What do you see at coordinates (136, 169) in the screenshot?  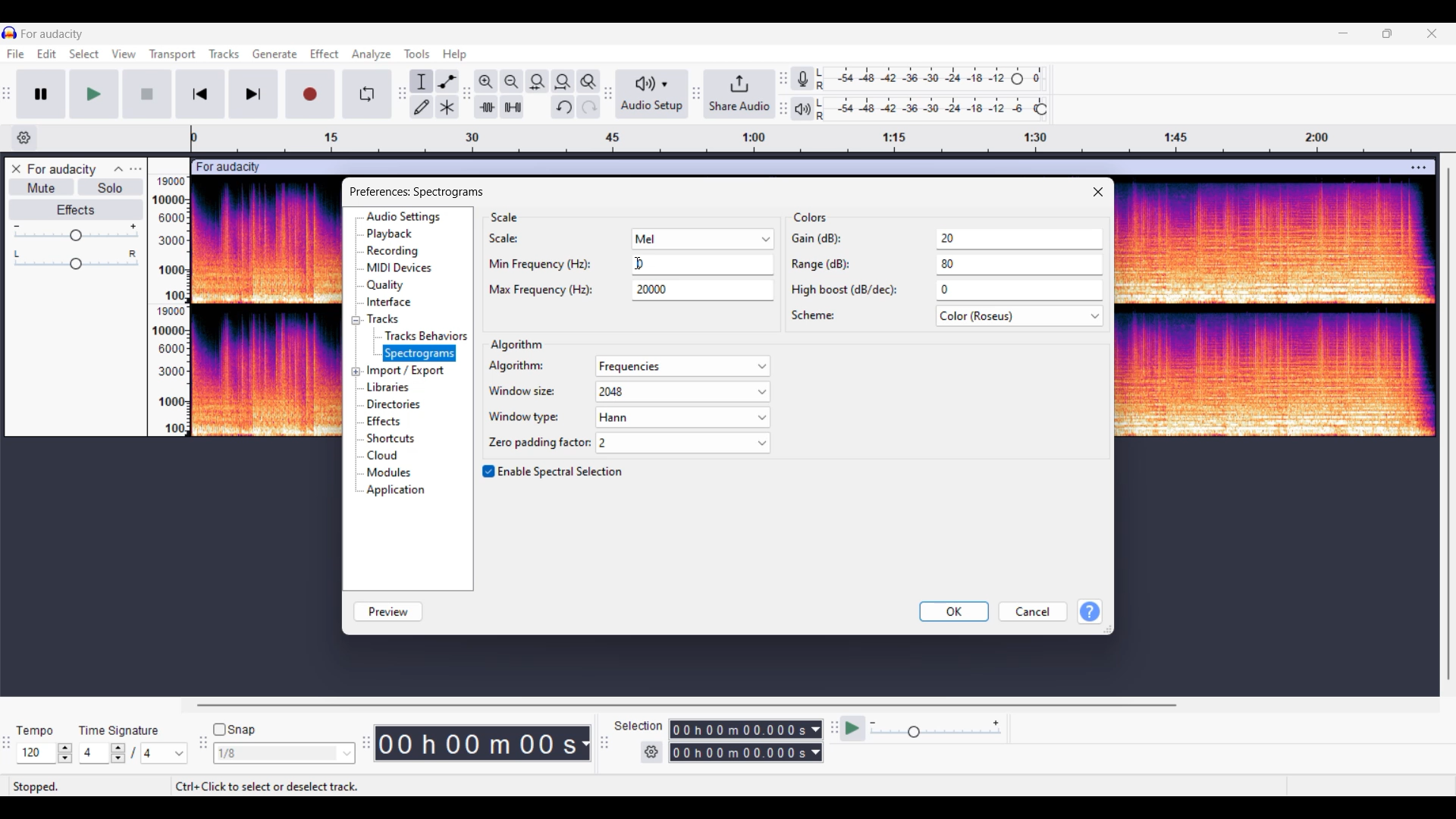 I see `Open menu` at bounding box center [136, 169].